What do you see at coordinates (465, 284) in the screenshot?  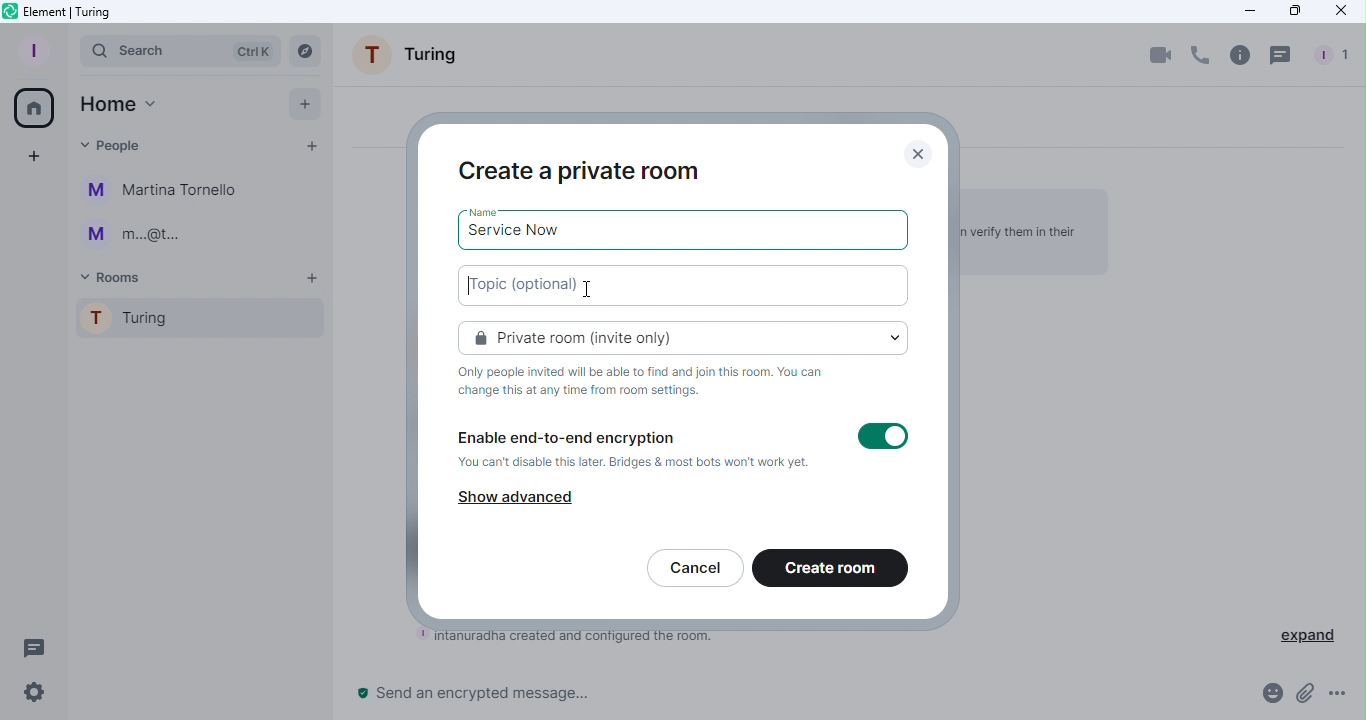 I see `text cursor` at bounding box center [465, 284].